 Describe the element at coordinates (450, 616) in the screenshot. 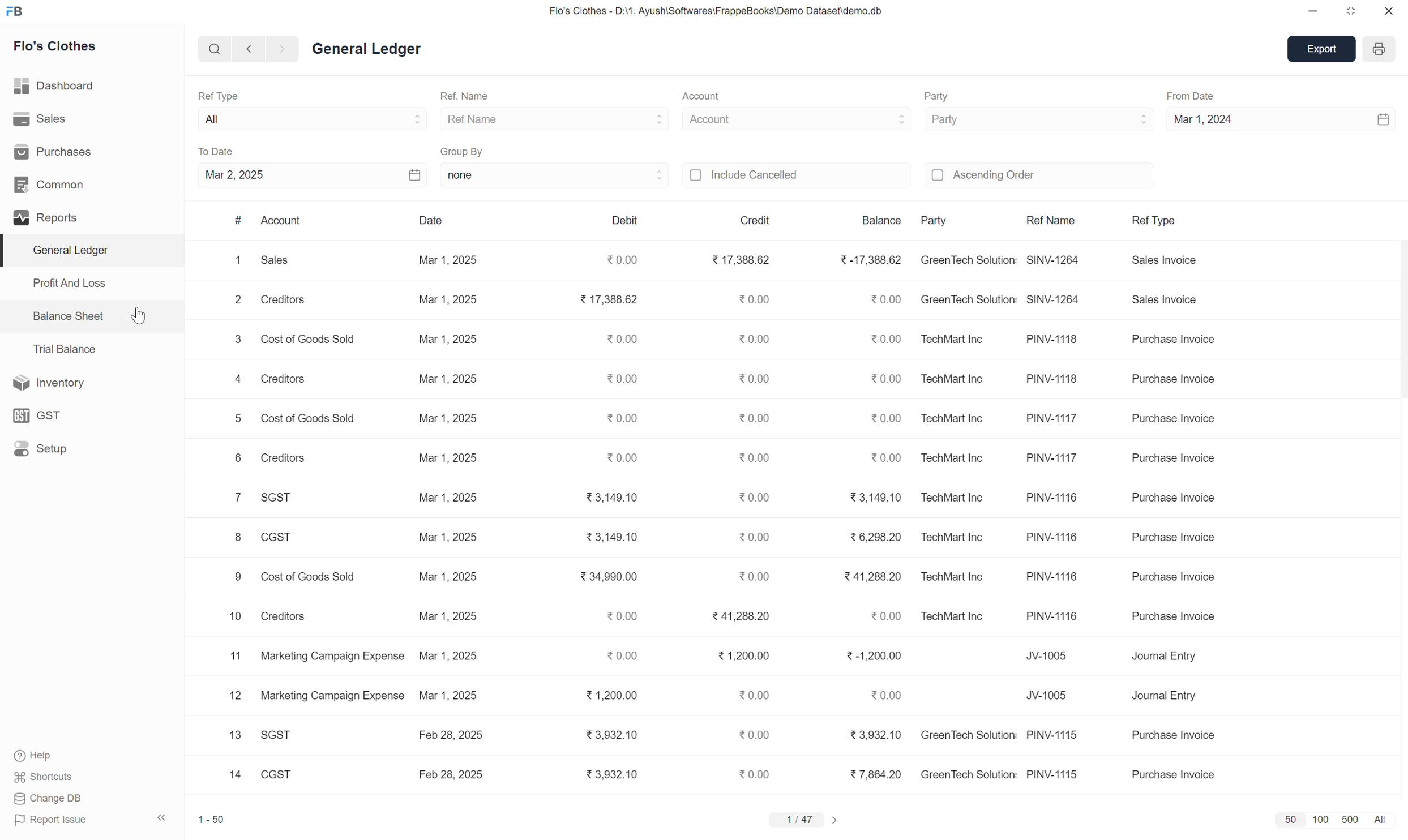

I see `Mar 1, 2025` at that location.